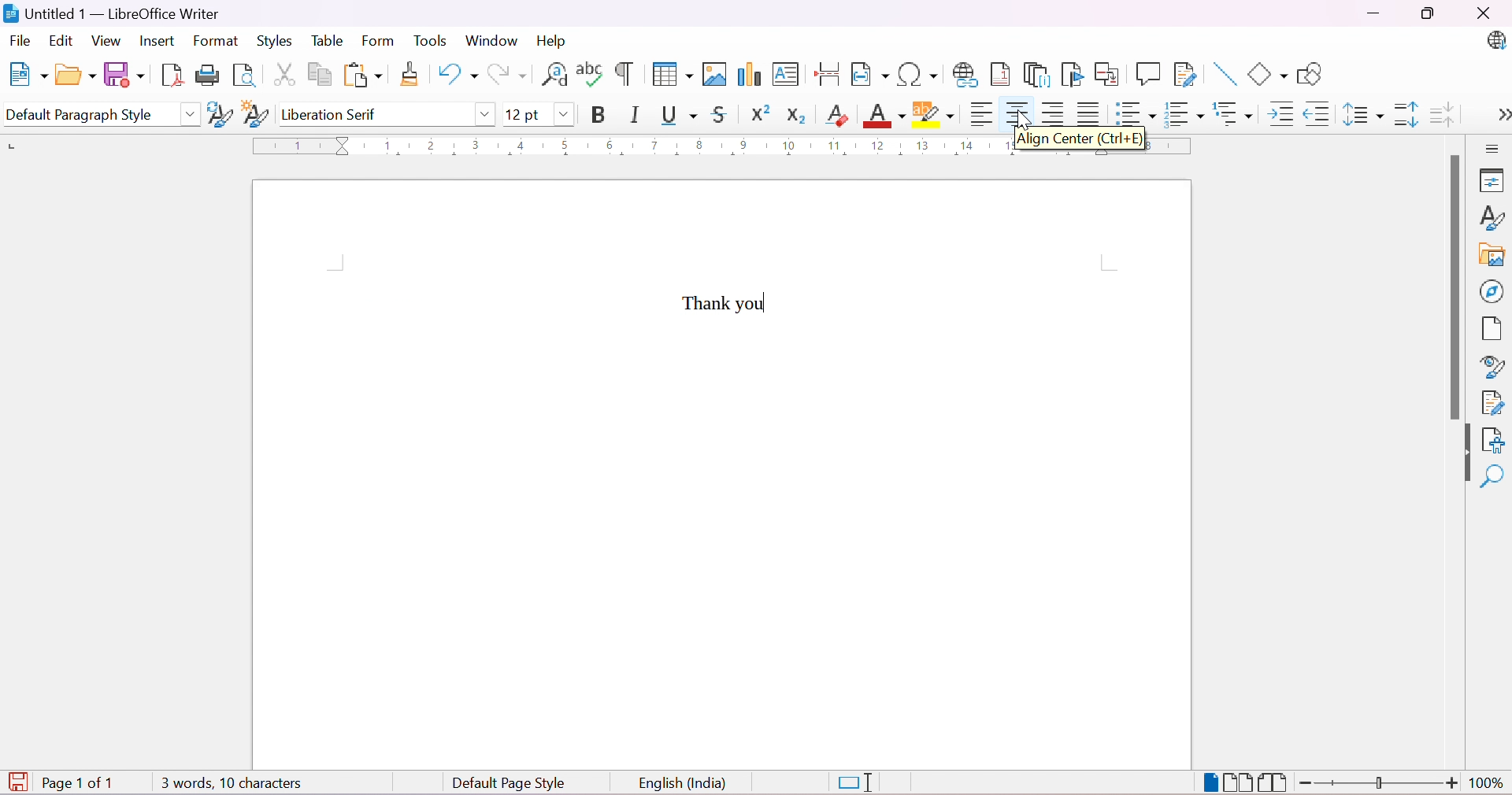 The height and width of the screenshot is (795, 1512). I want to click on Undo, so click(454, 75).